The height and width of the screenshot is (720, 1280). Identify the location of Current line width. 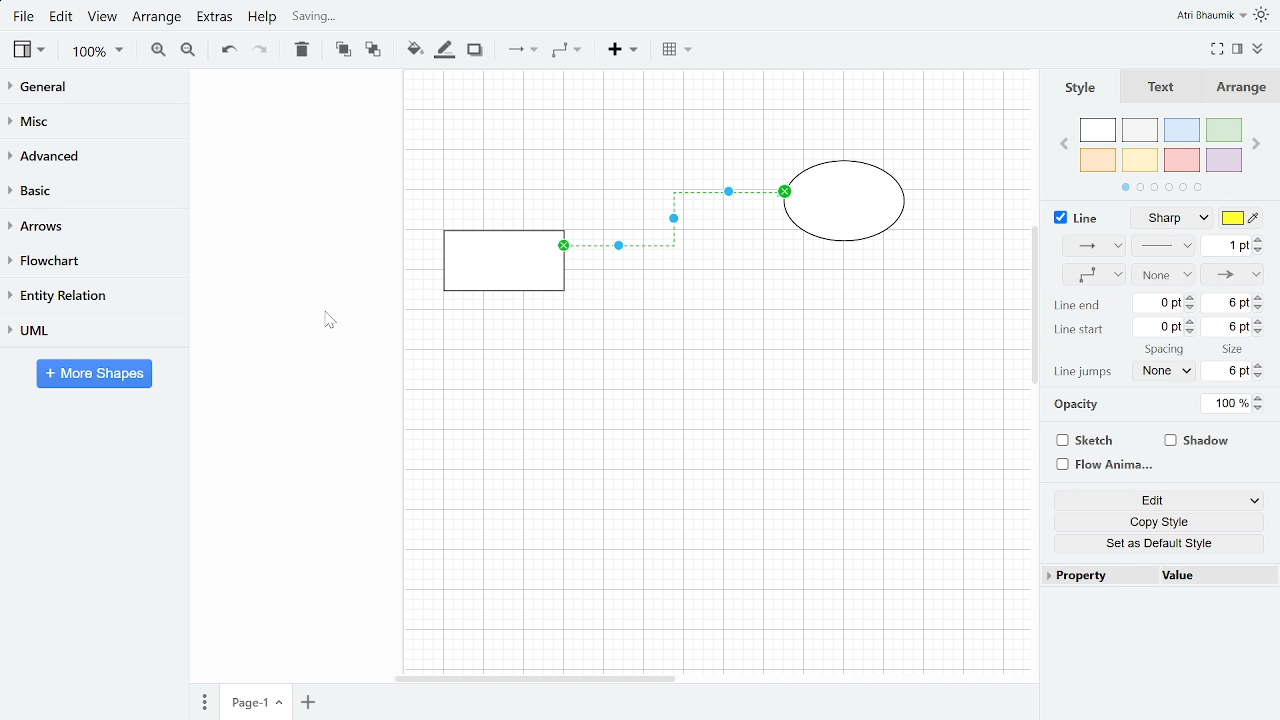
(1226, 247).